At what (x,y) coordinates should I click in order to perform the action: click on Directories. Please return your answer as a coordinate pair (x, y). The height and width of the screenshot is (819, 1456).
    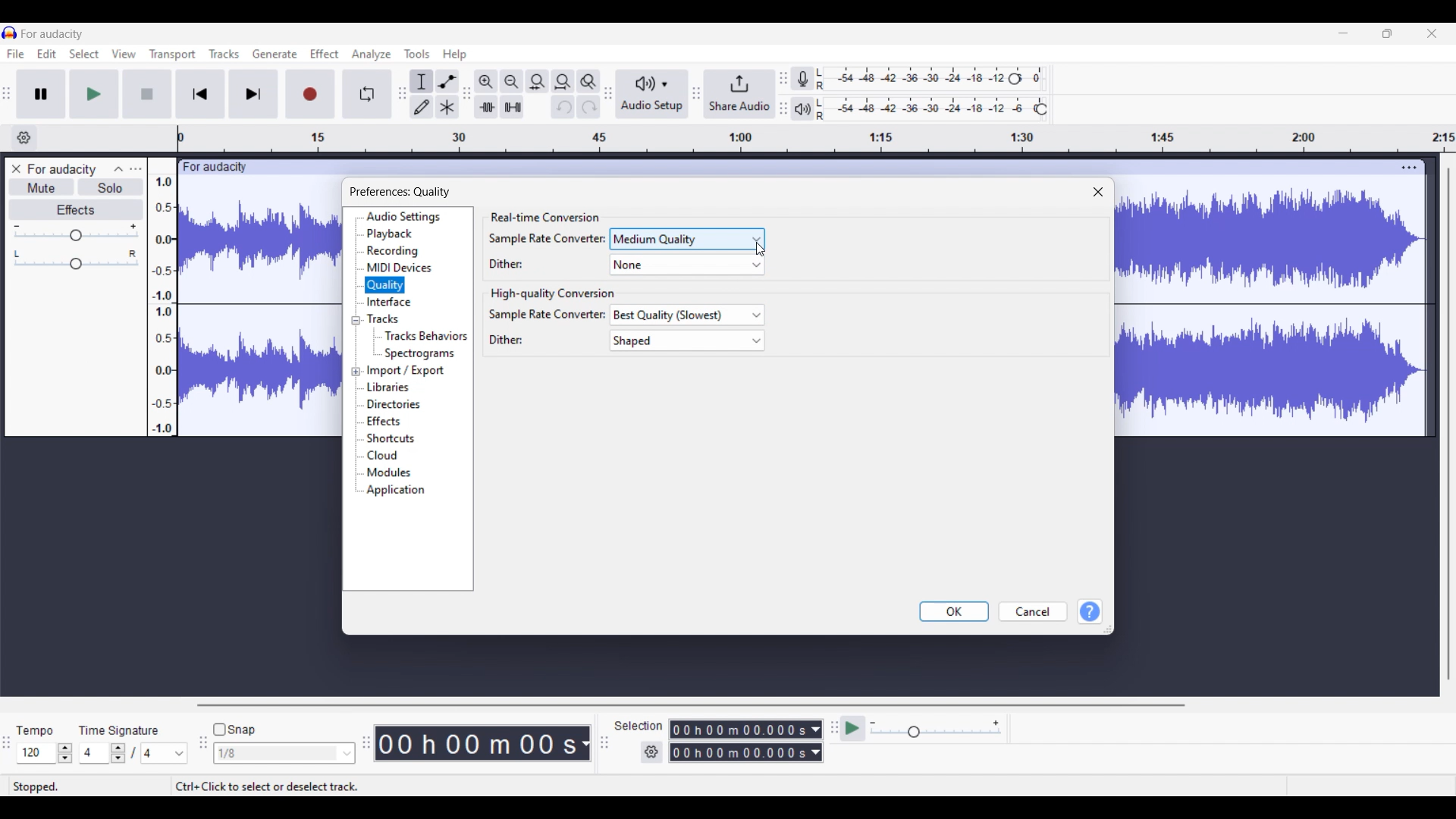
    Looking at the image, I should click on (395, 404).